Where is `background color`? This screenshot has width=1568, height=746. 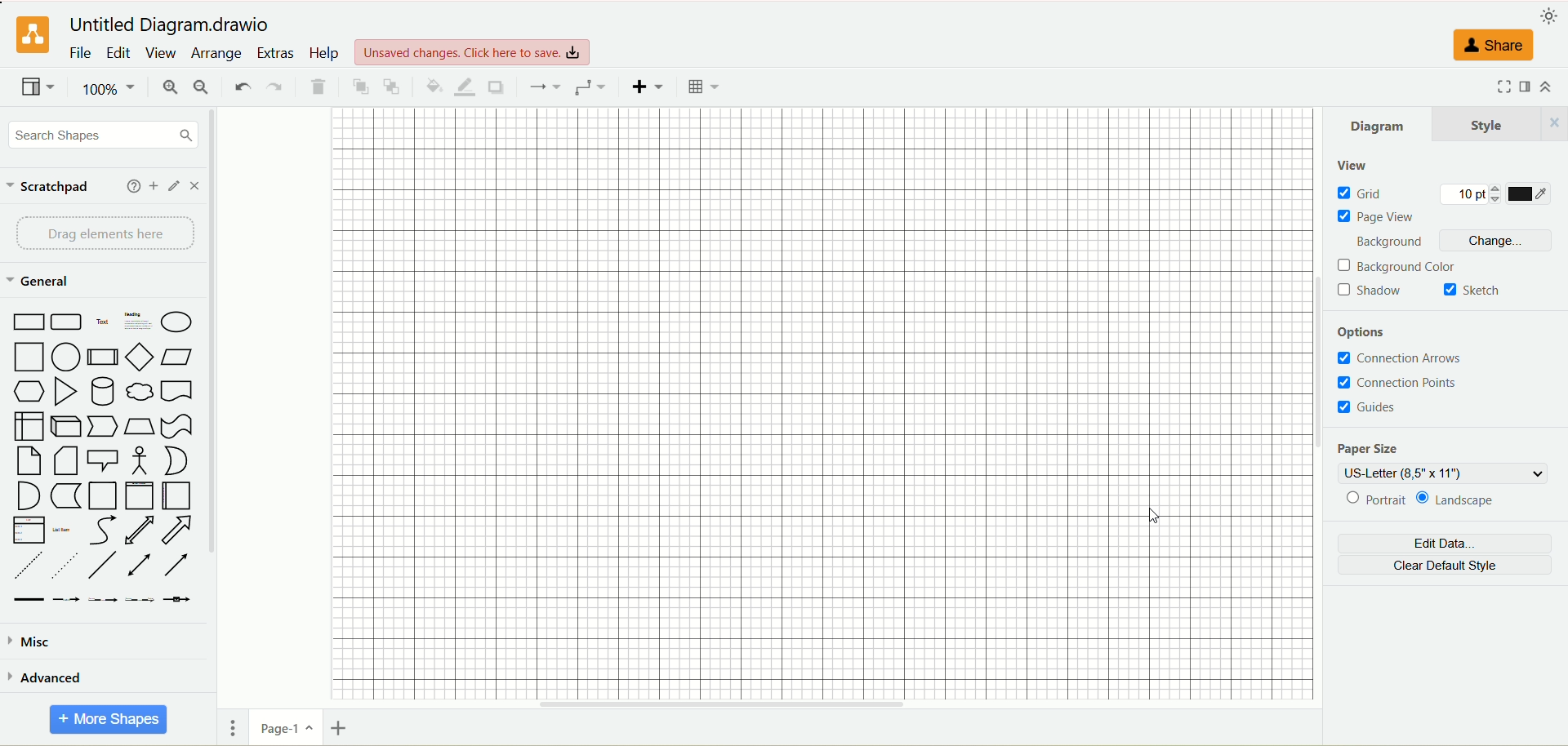 background color is located at coordinates (1398, 266).